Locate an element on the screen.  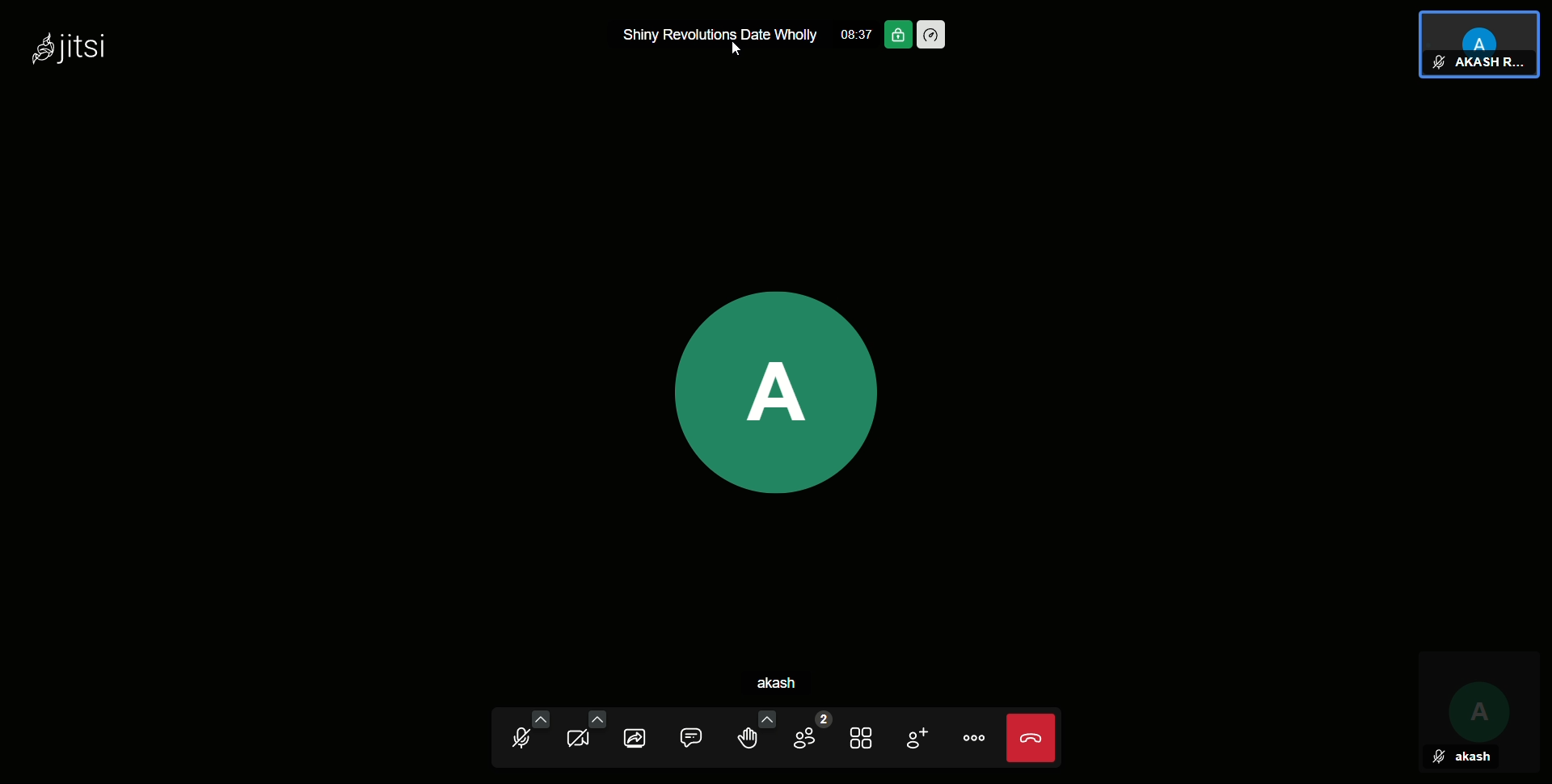
jitsi is located at coordinates (69, 51).